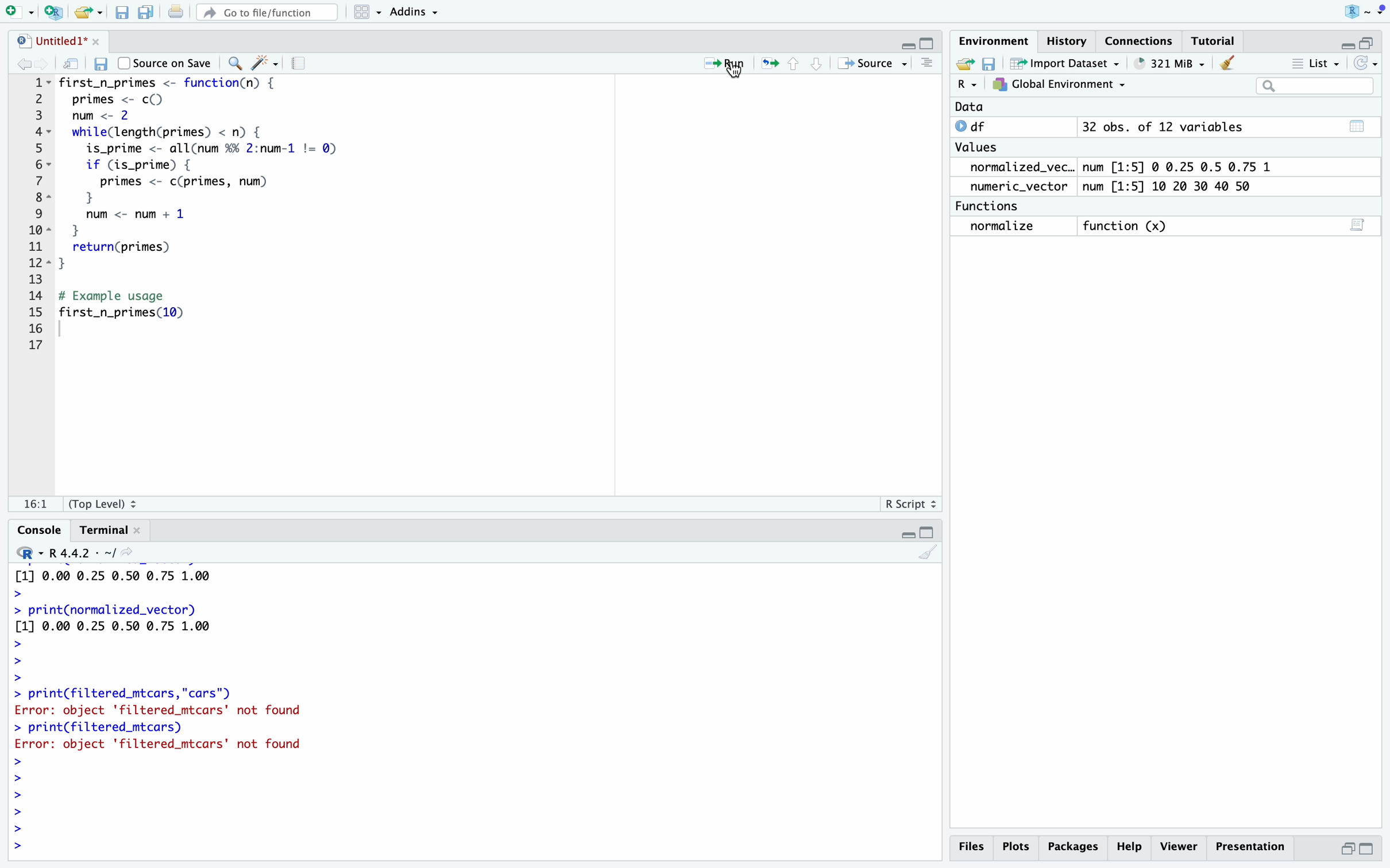  Describe the element at coordinates (733, 69) in the screenshot. I see `cursor` at that location.